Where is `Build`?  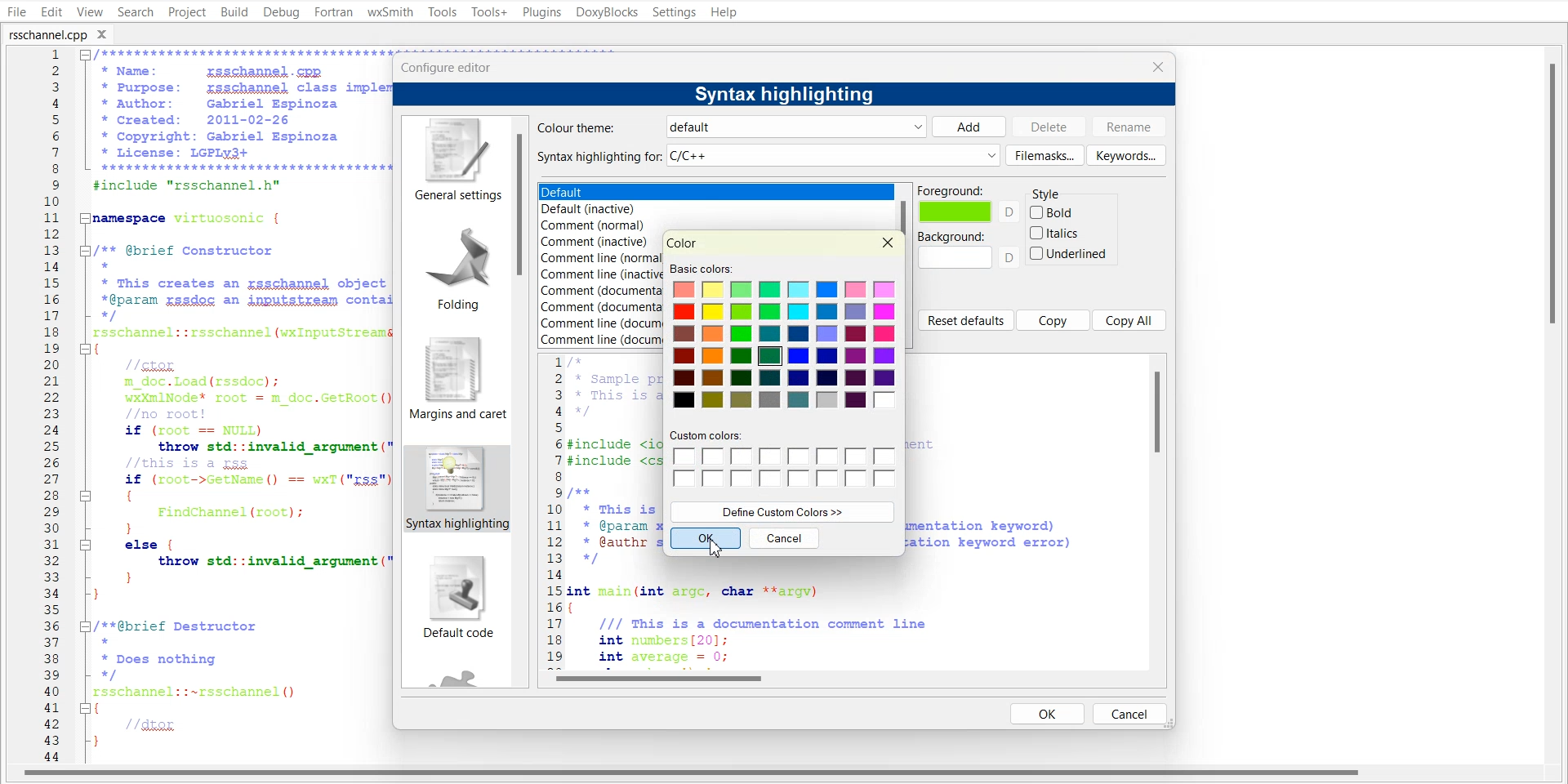
Build is located at coordinates (234, 11).